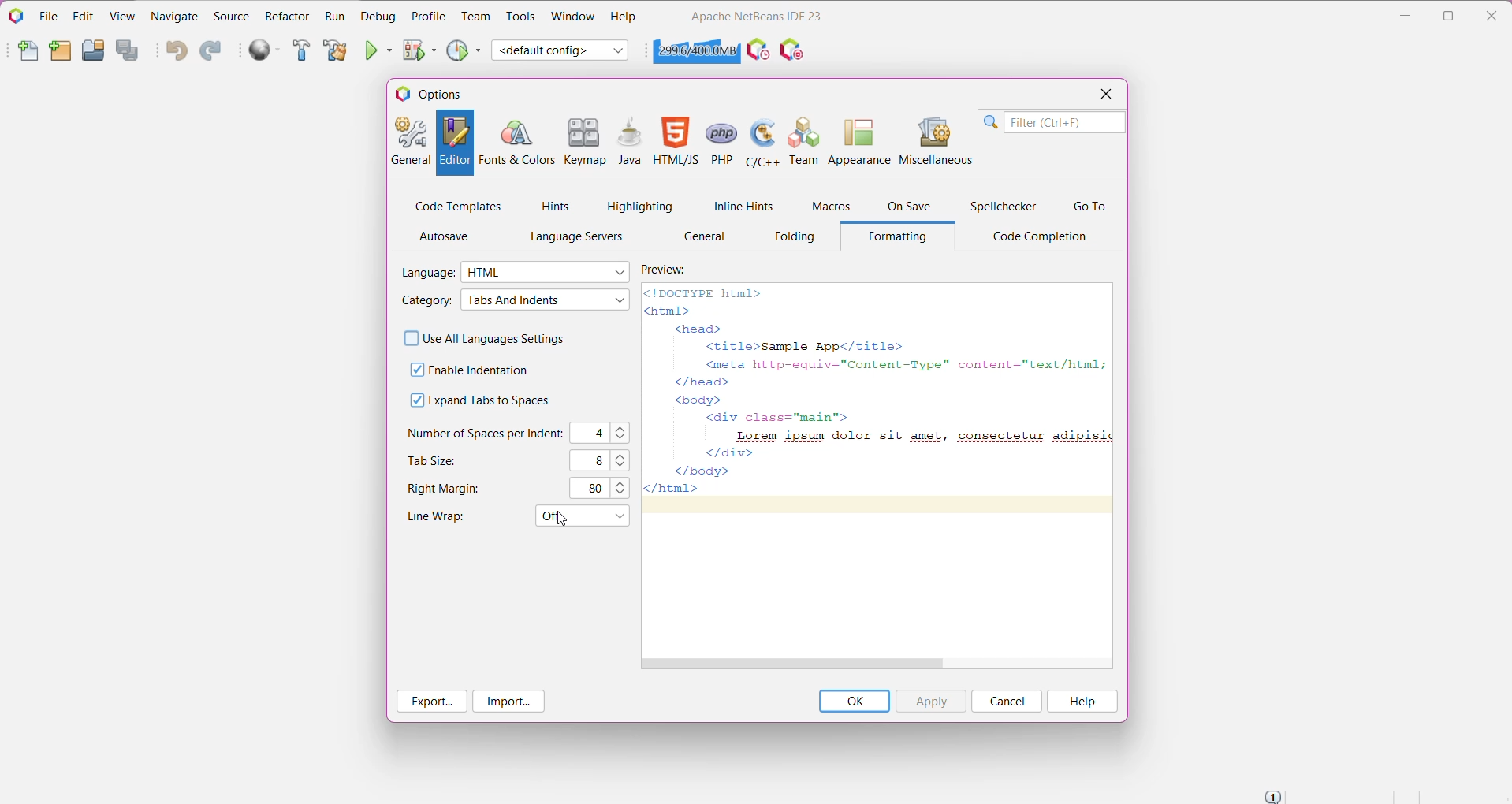 The width and height of the screenshot is (1512, 804). Describe the element at coordinates (516, 143) in the screenshot. I see `Fonts and Colors` at that location.